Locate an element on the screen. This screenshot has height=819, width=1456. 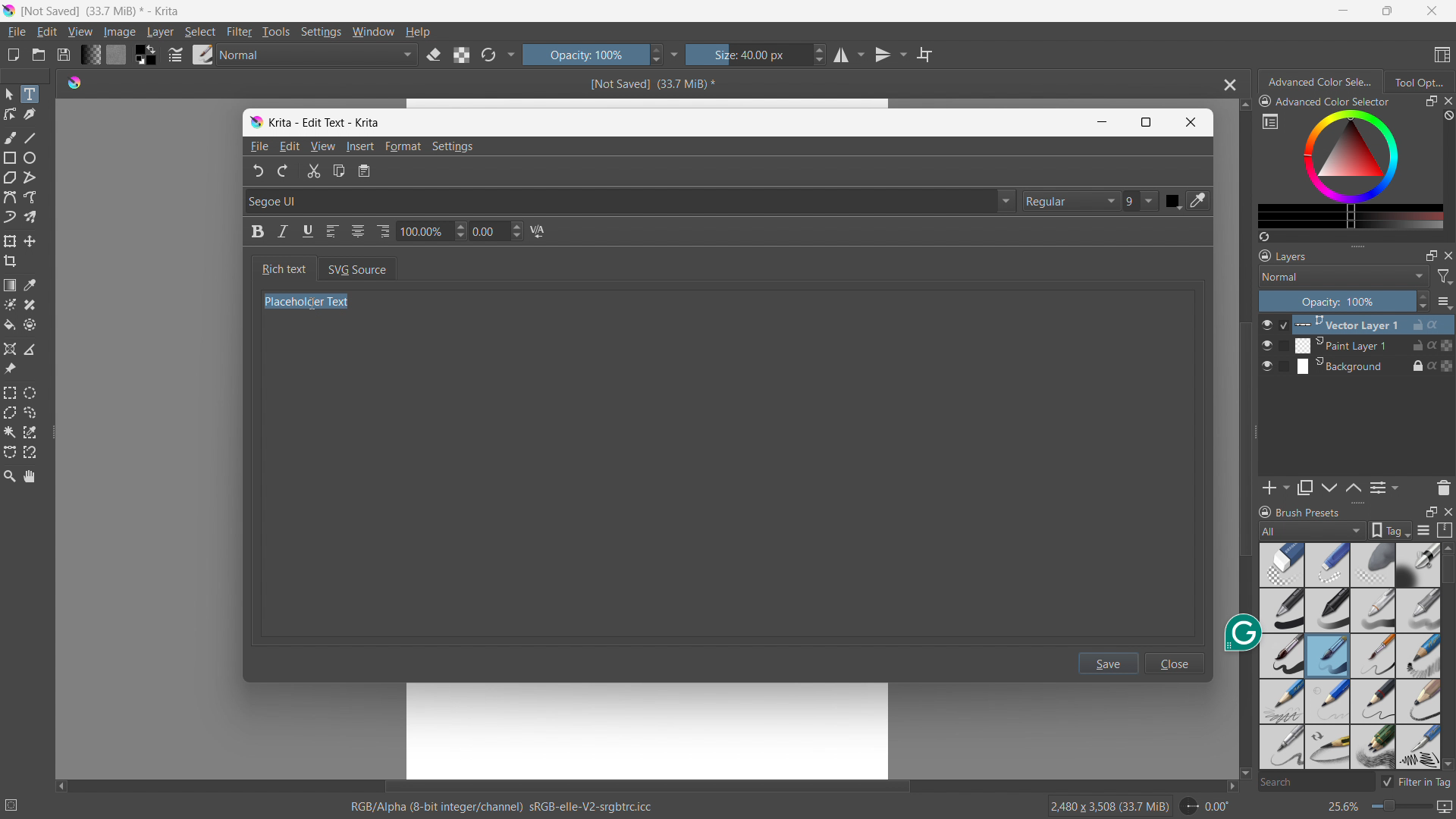
logo is located at coordinates (256, 122).